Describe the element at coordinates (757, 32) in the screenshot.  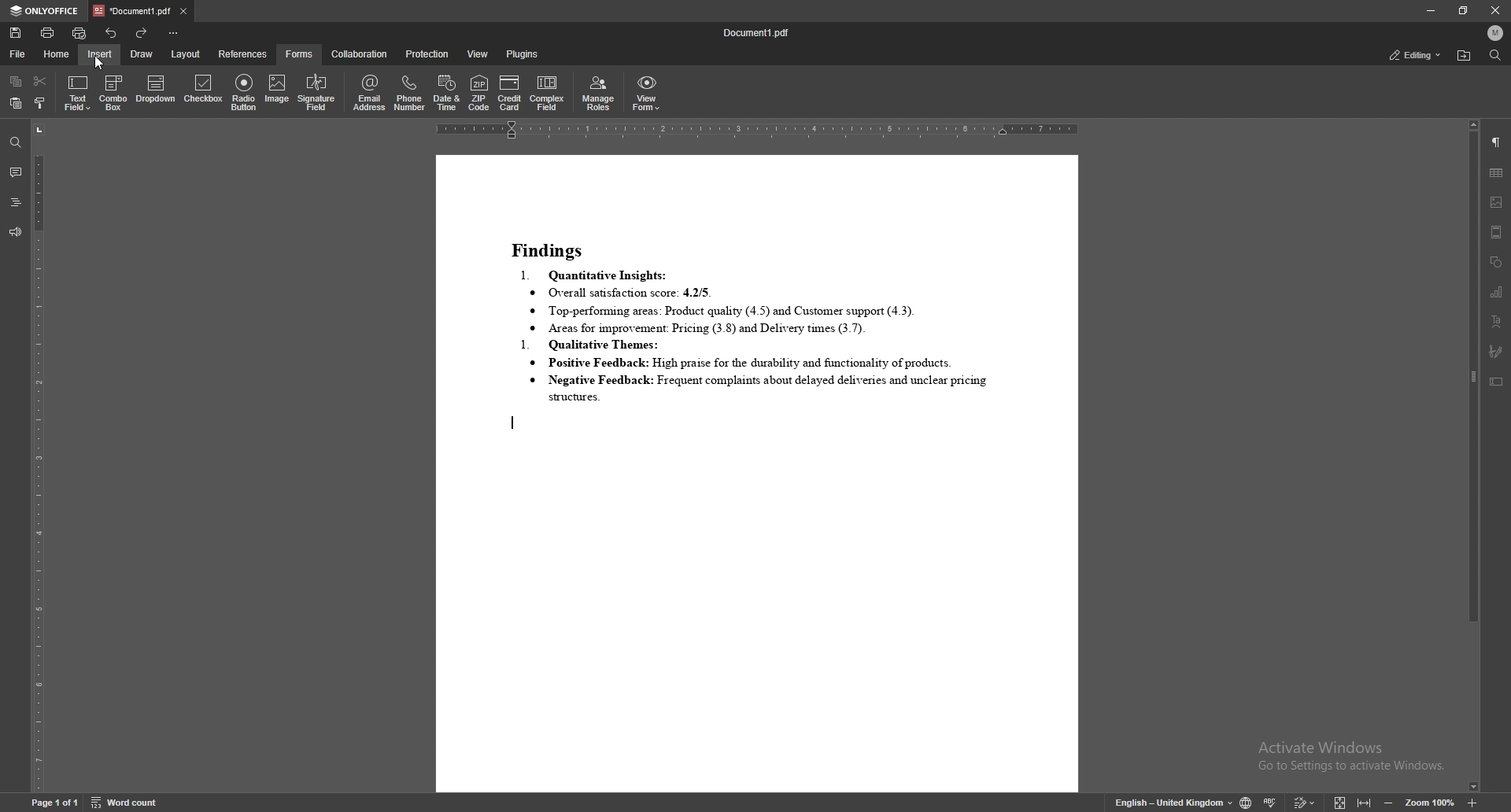
I see `file name` at that location.